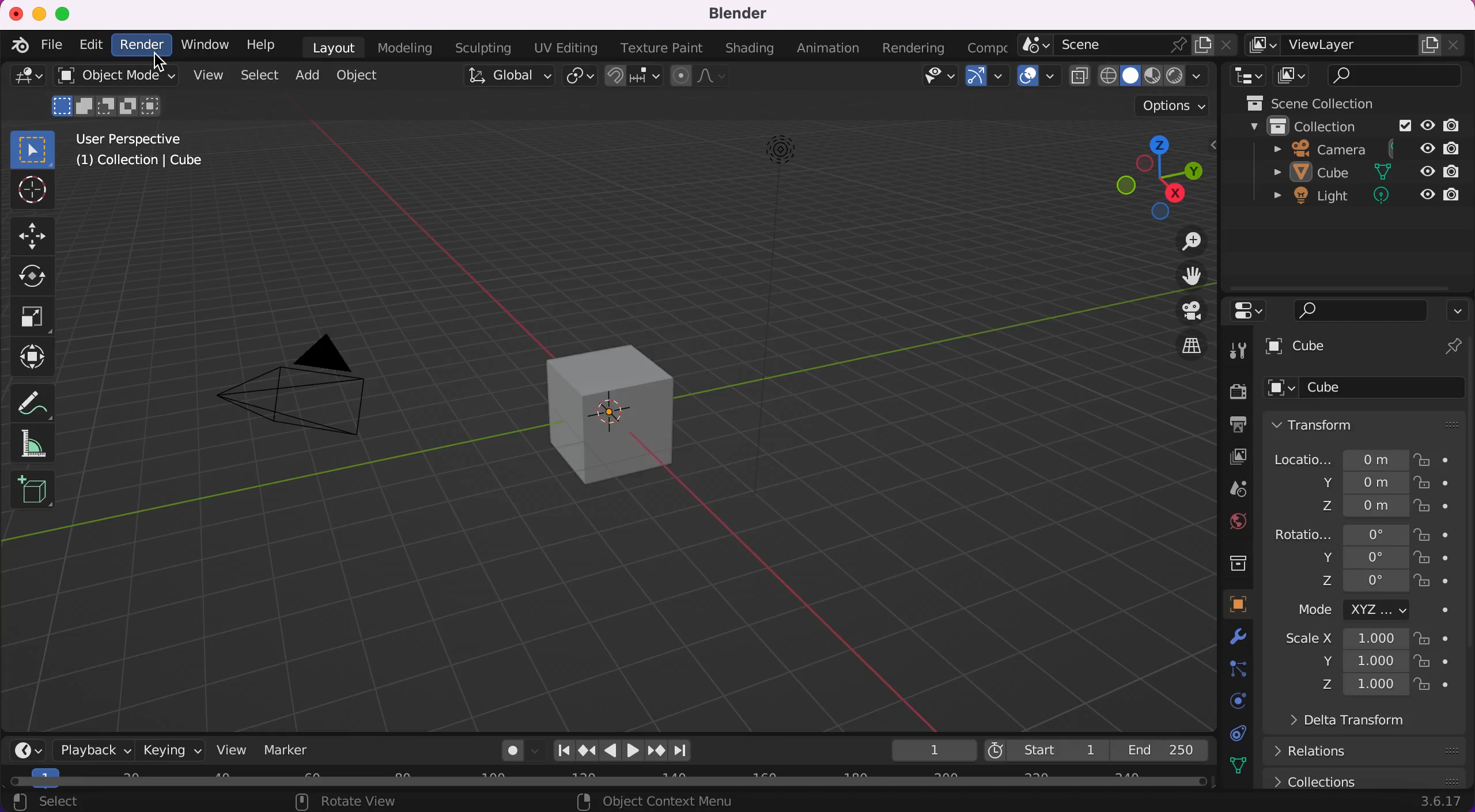 The image size is (1475, 812). I want to click on lock, so click(1434, 504).